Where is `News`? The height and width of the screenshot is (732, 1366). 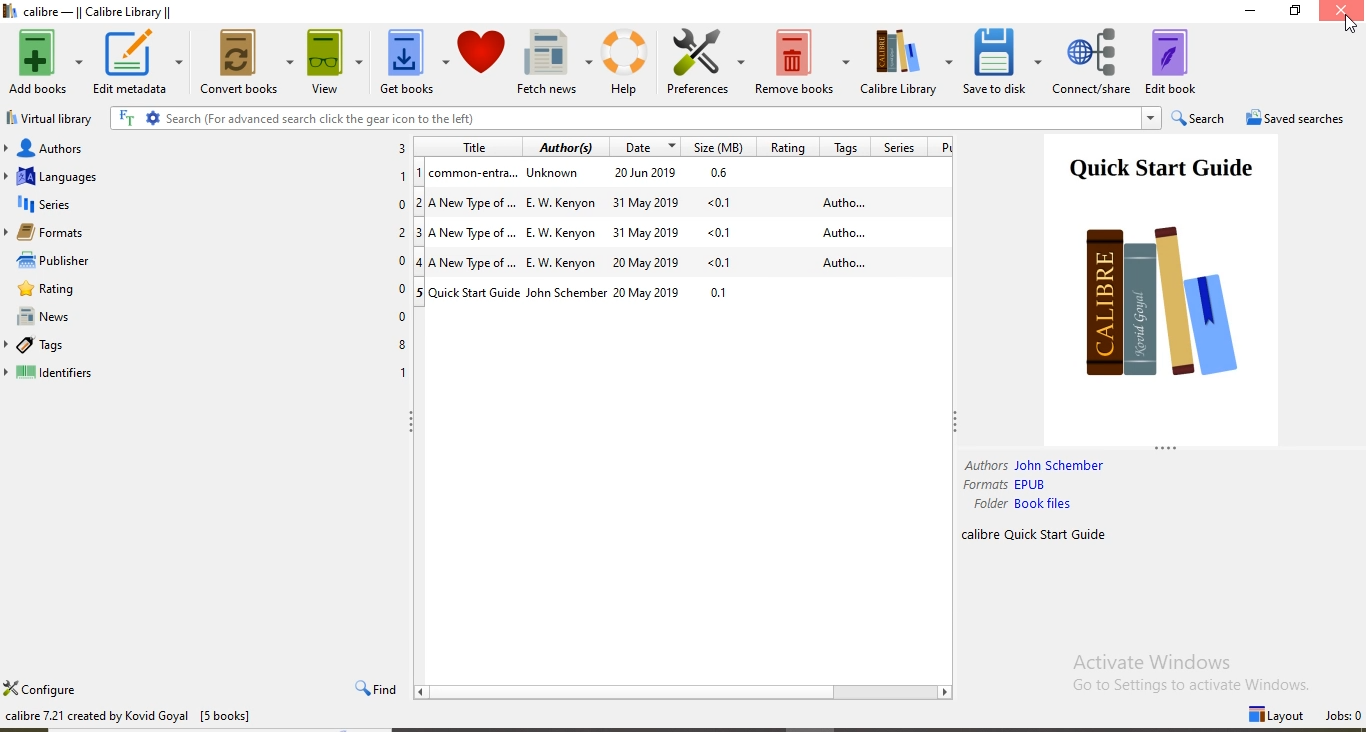
News is located at coordinates (207, 318).